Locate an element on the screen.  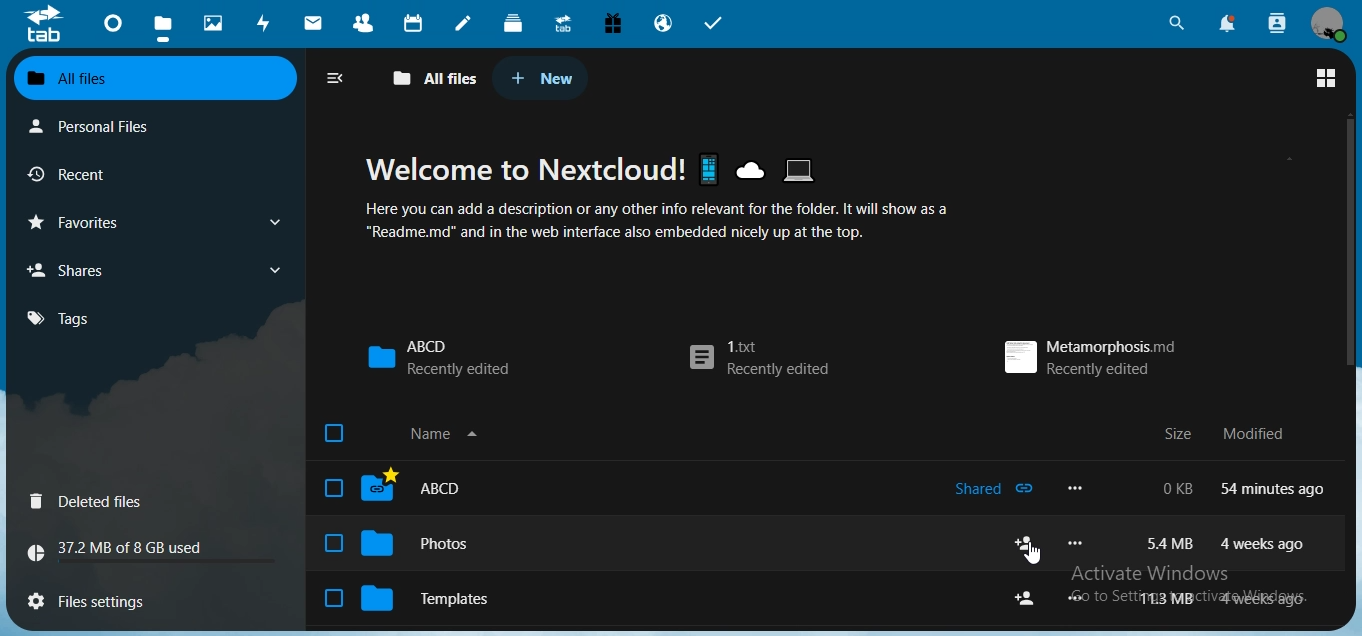
files is located at coordinates (99, 598).